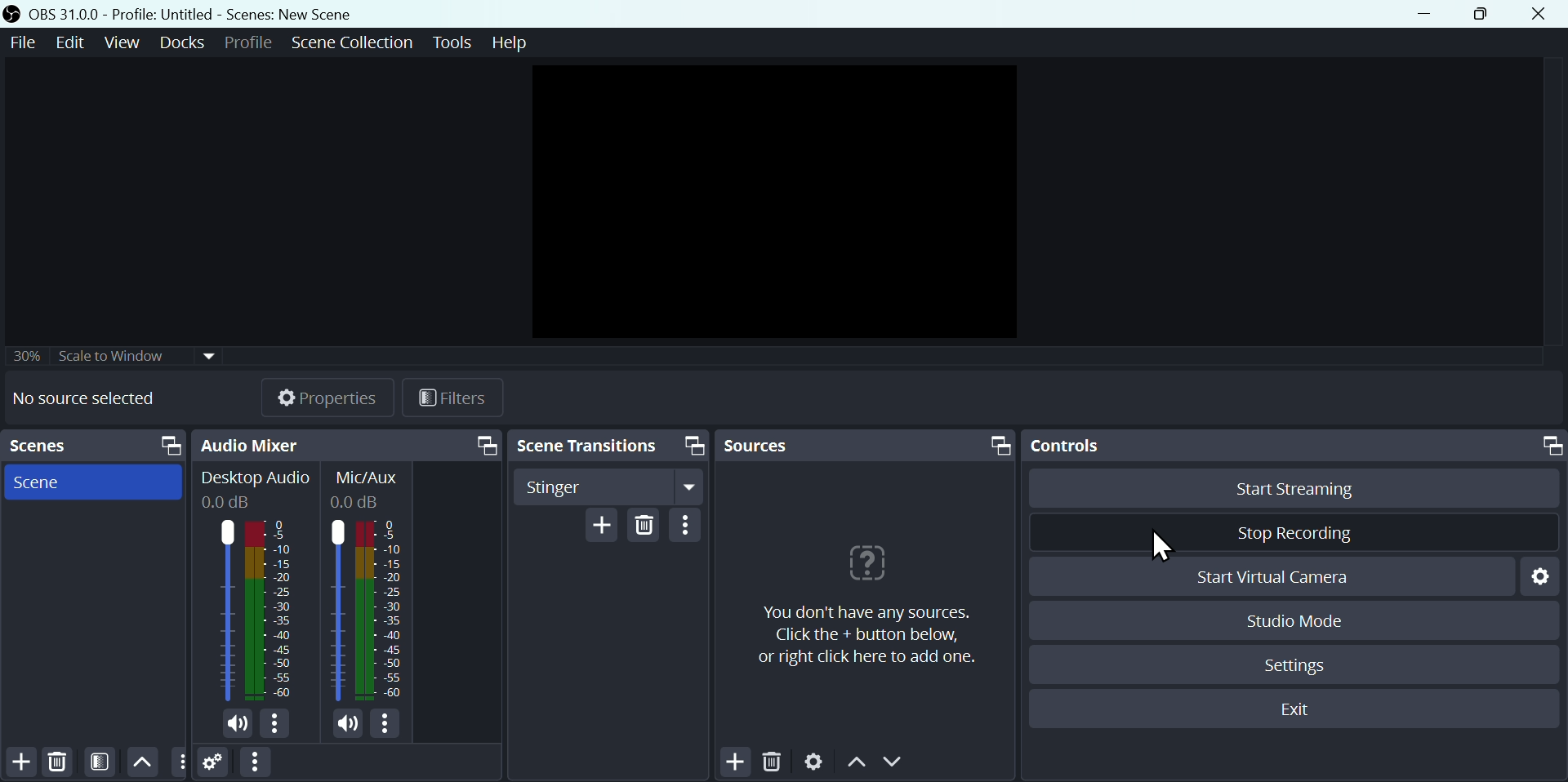  I want to click on Studio mode, so click(1296, 618).